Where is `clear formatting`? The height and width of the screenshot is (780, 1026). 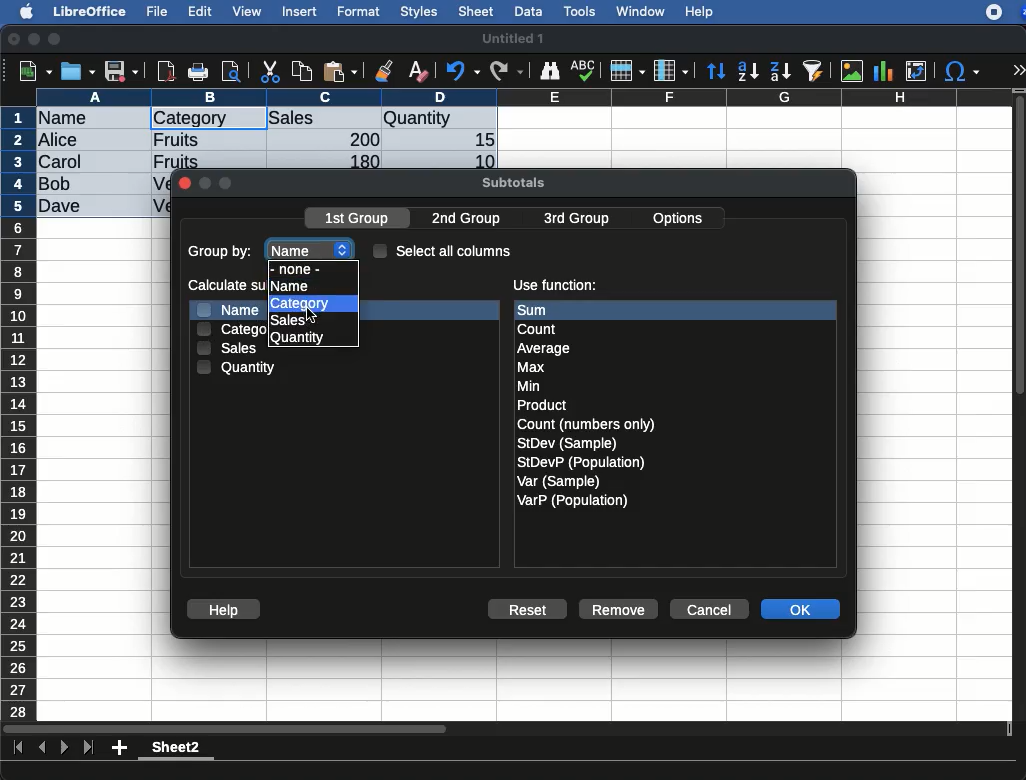 clear formatting is located at coordinates (417, 72).